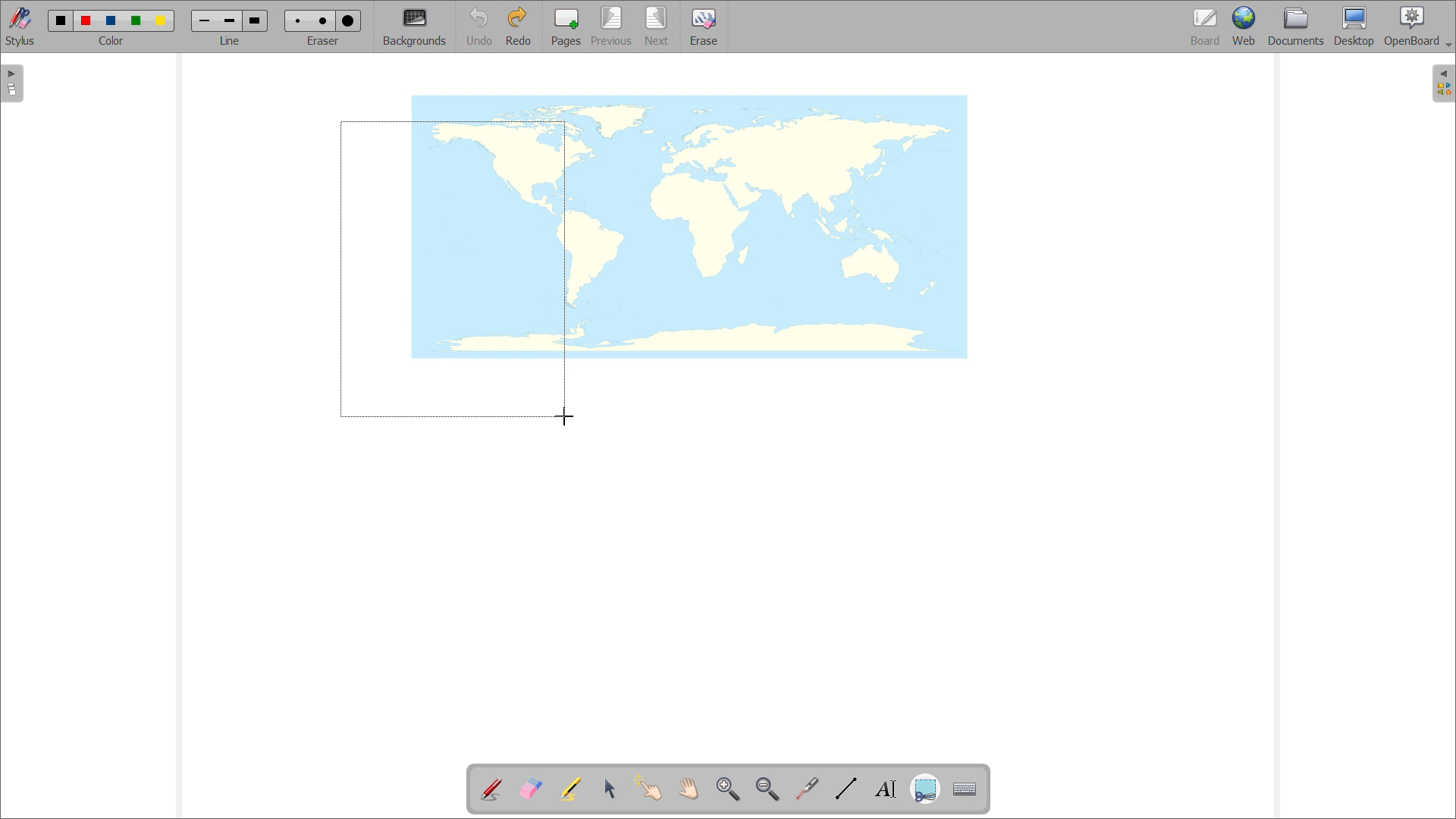 The width and height of the screenshot is (1456, 819). What do you see at coordinates (530, 788) in the screenshot?
I see `erase annotations` at bounding box center [530, 788].